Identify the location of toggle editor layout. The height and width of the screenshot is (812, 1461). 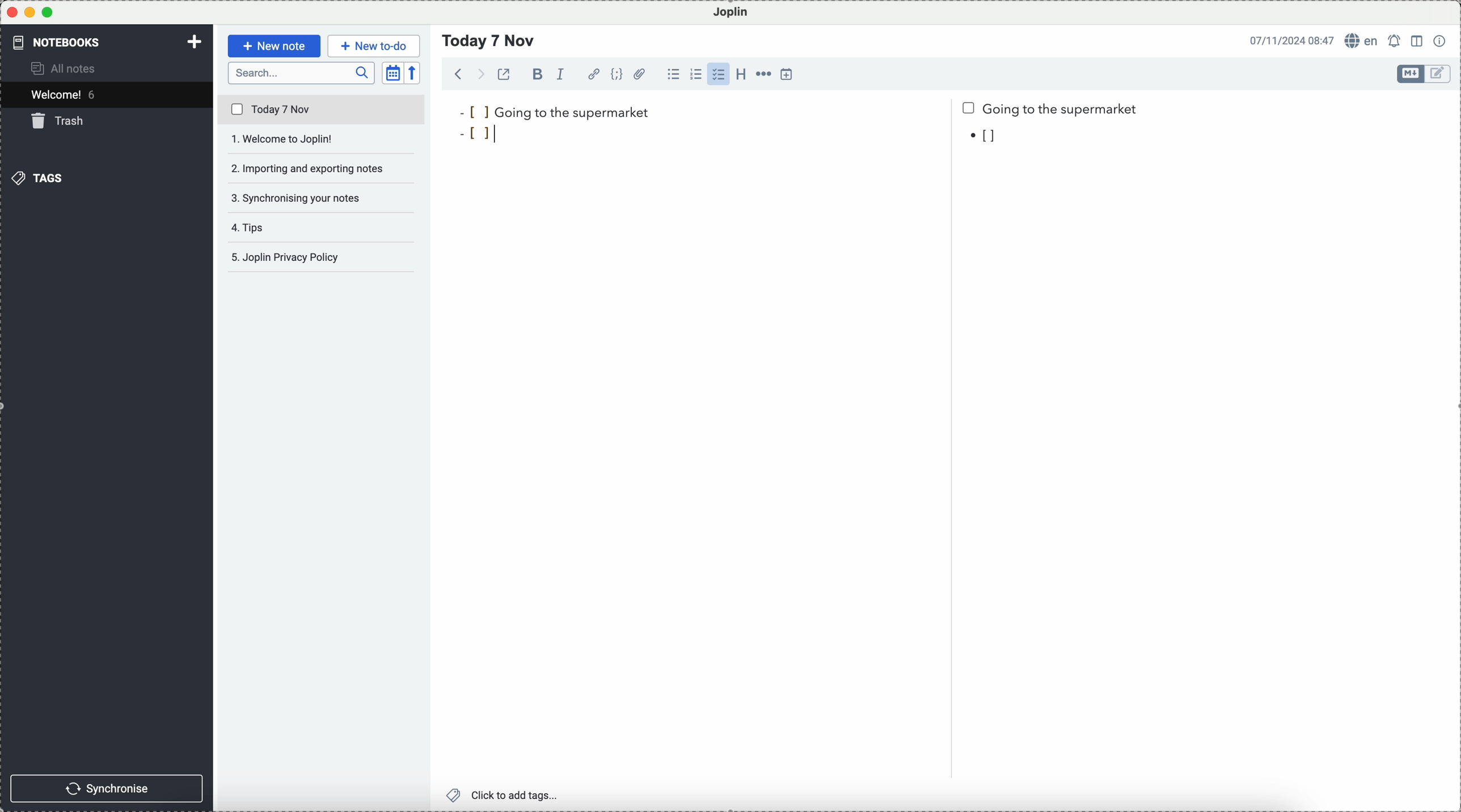
(1418, 41).